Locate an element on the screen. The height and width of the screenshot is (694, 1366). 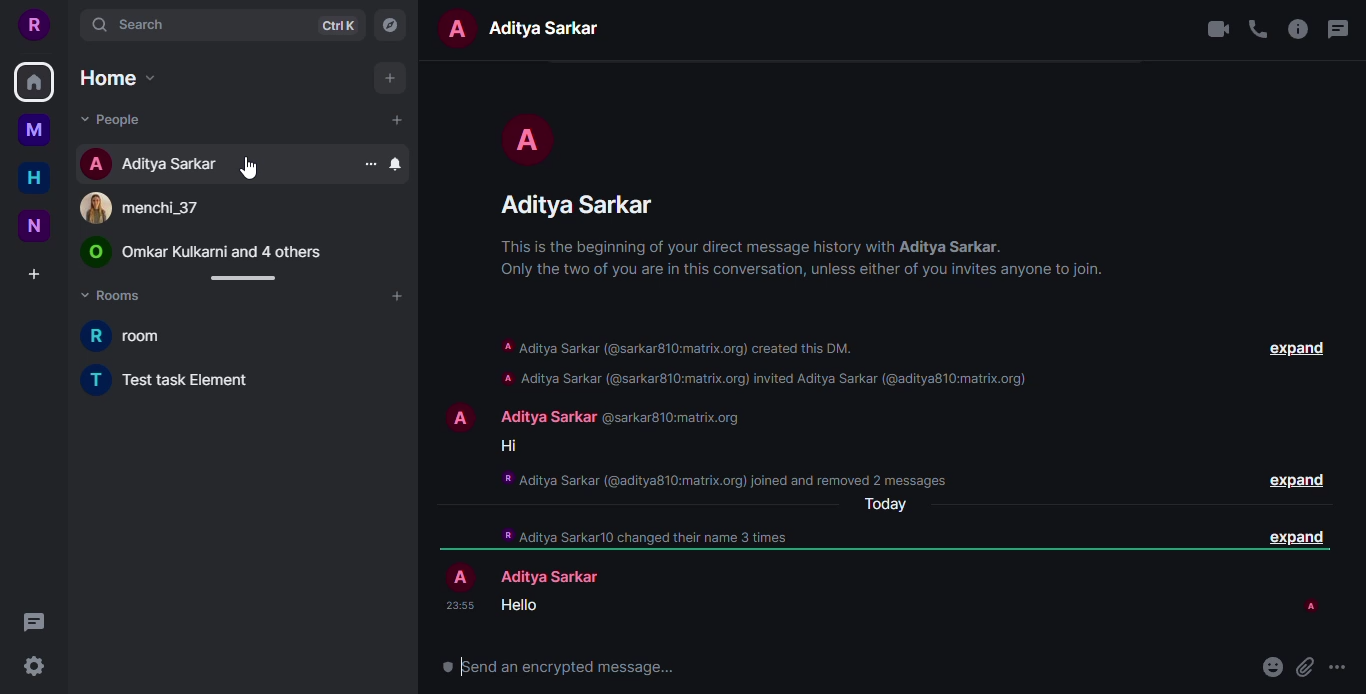
hi is located at coordinates (509, 446).